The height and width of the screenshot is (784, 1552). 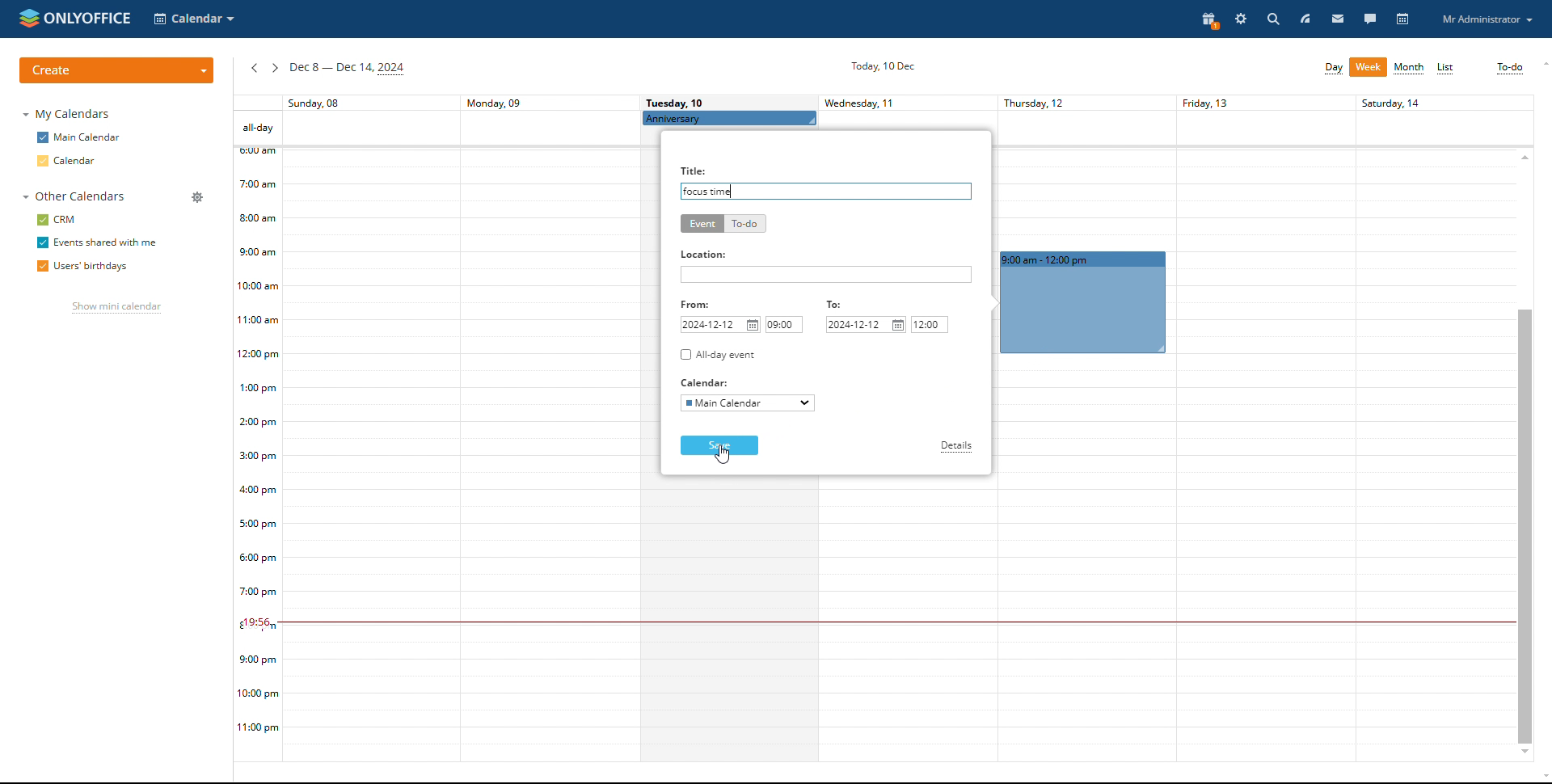 What do you see at coordinates (116, 70) in the screenshot?
I see `create` at bounding box center [116, 70].